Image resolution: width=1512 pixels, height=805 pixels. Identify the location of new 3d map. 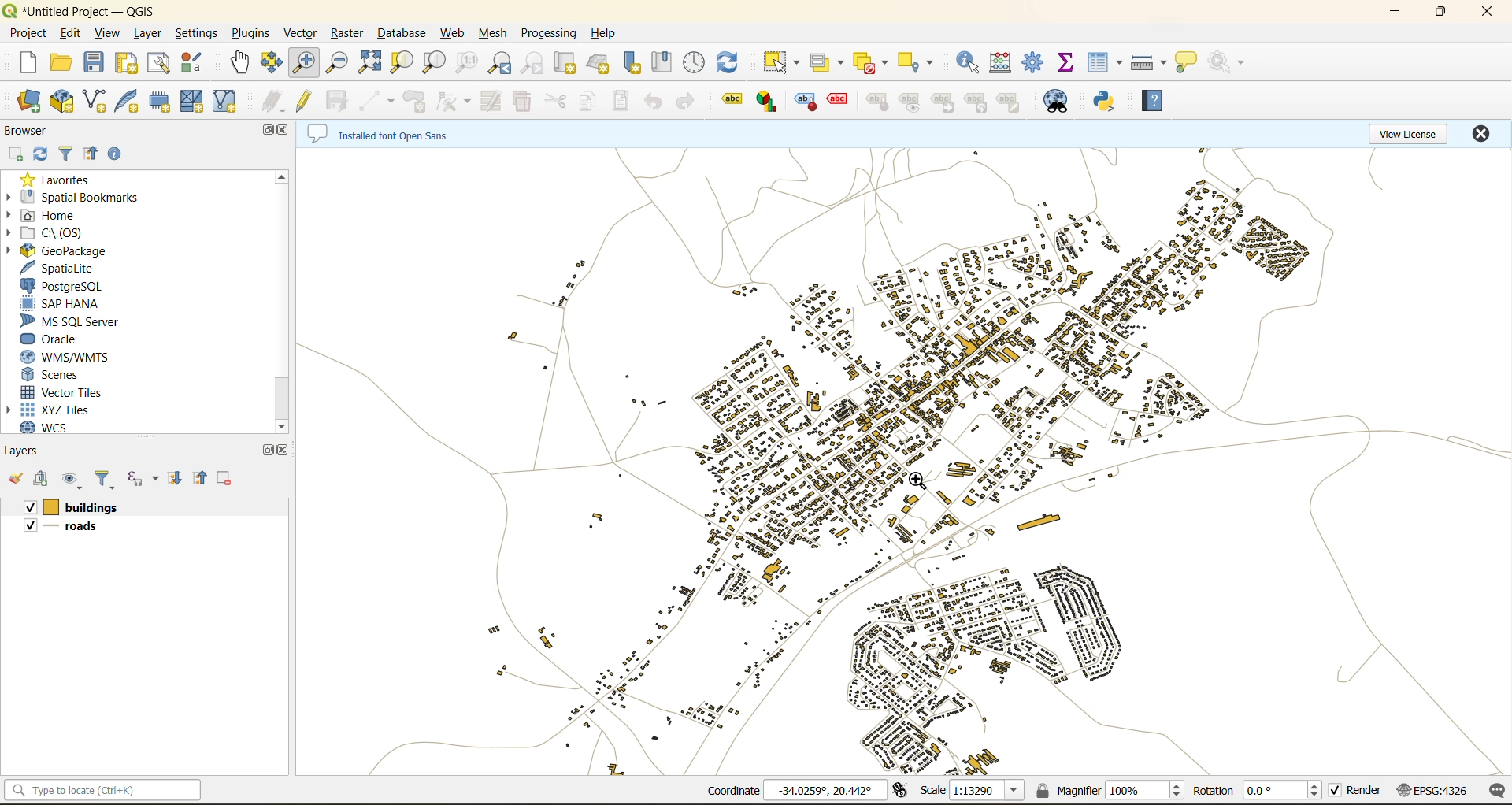
(603, 61).